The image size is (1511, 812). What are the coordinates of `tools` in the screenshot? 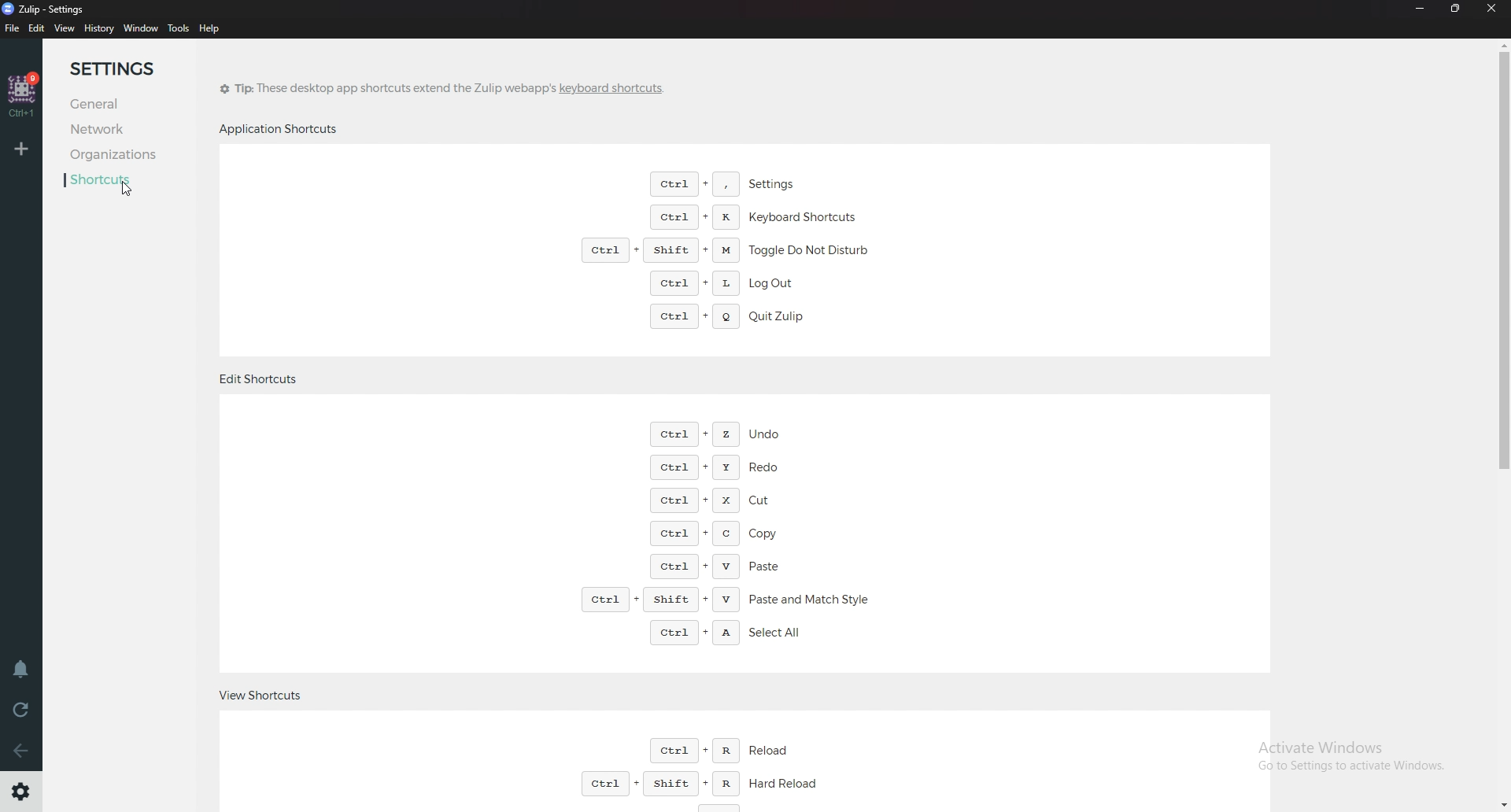 It's located at (179, 28).